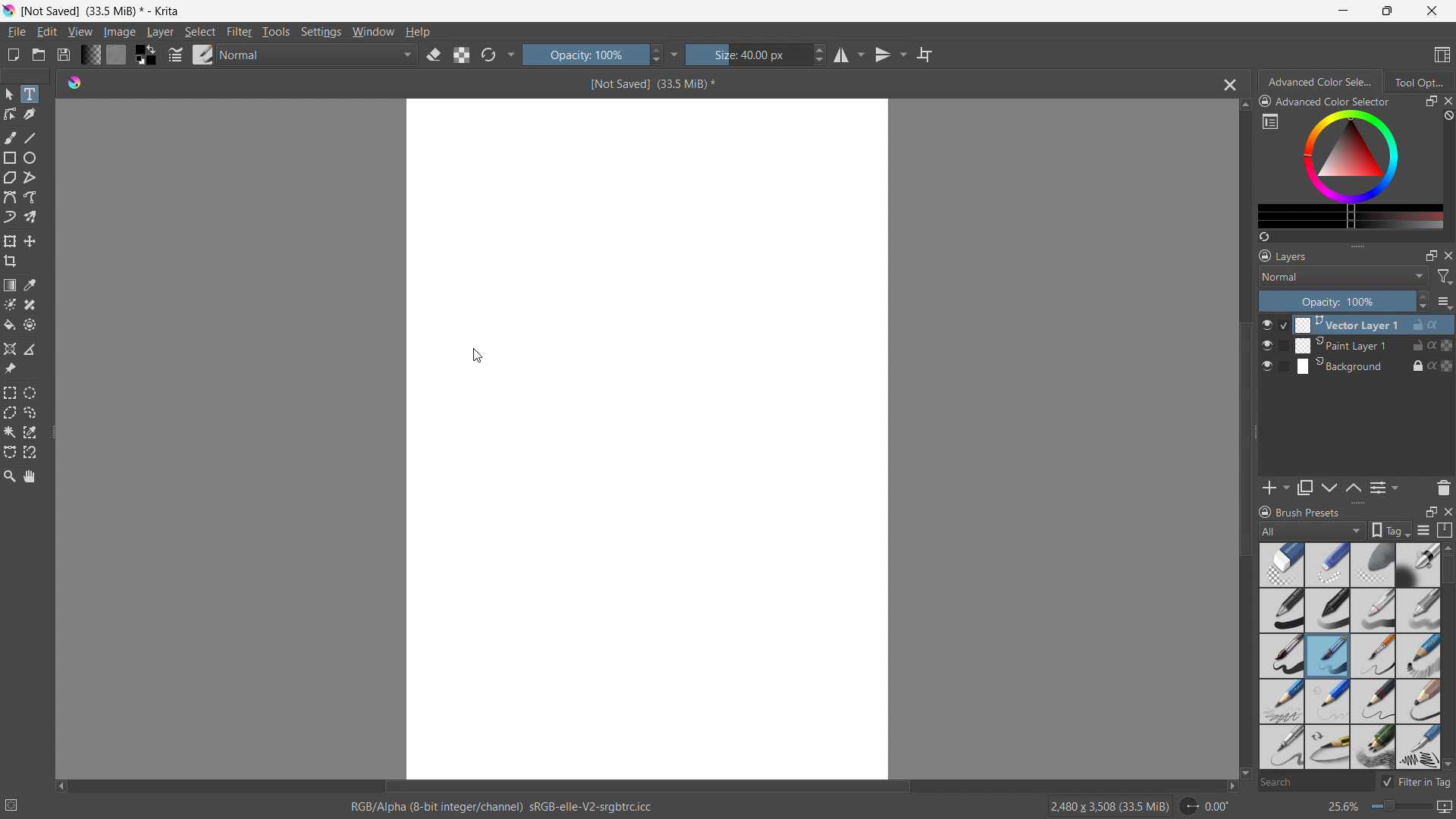  Describe the element at coordinates (1357, 504) in the screenshot. I see `resize ` at that location.